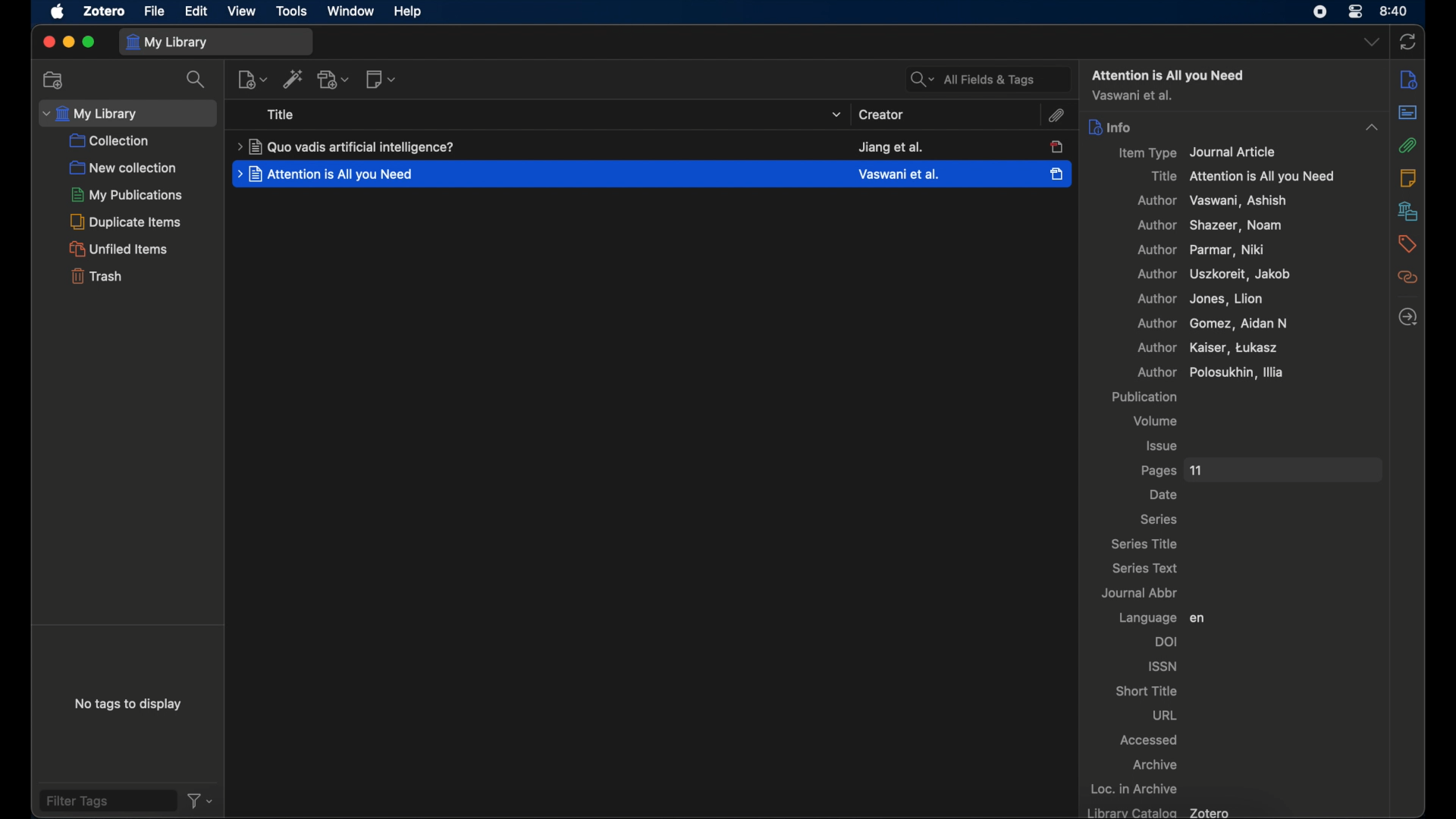 This screenshot has height=819, width=1456. Describe the element at coordinates (541, 176) in the screenshot. I see `highlighted item` at that location.